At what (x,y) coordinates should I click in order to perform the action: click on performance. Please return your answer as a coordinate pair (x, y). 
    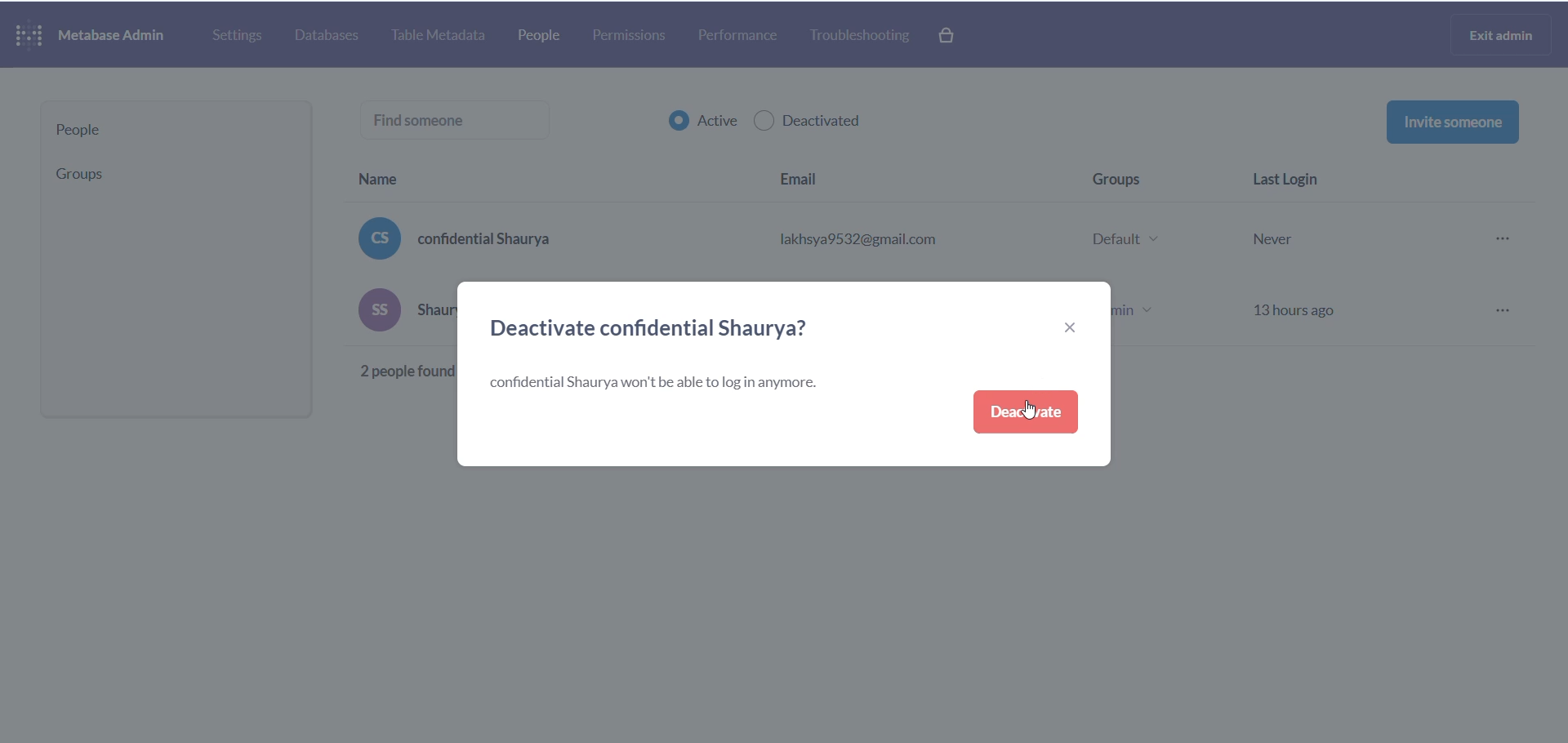
    Looking at the image, I should click on (737, 35).